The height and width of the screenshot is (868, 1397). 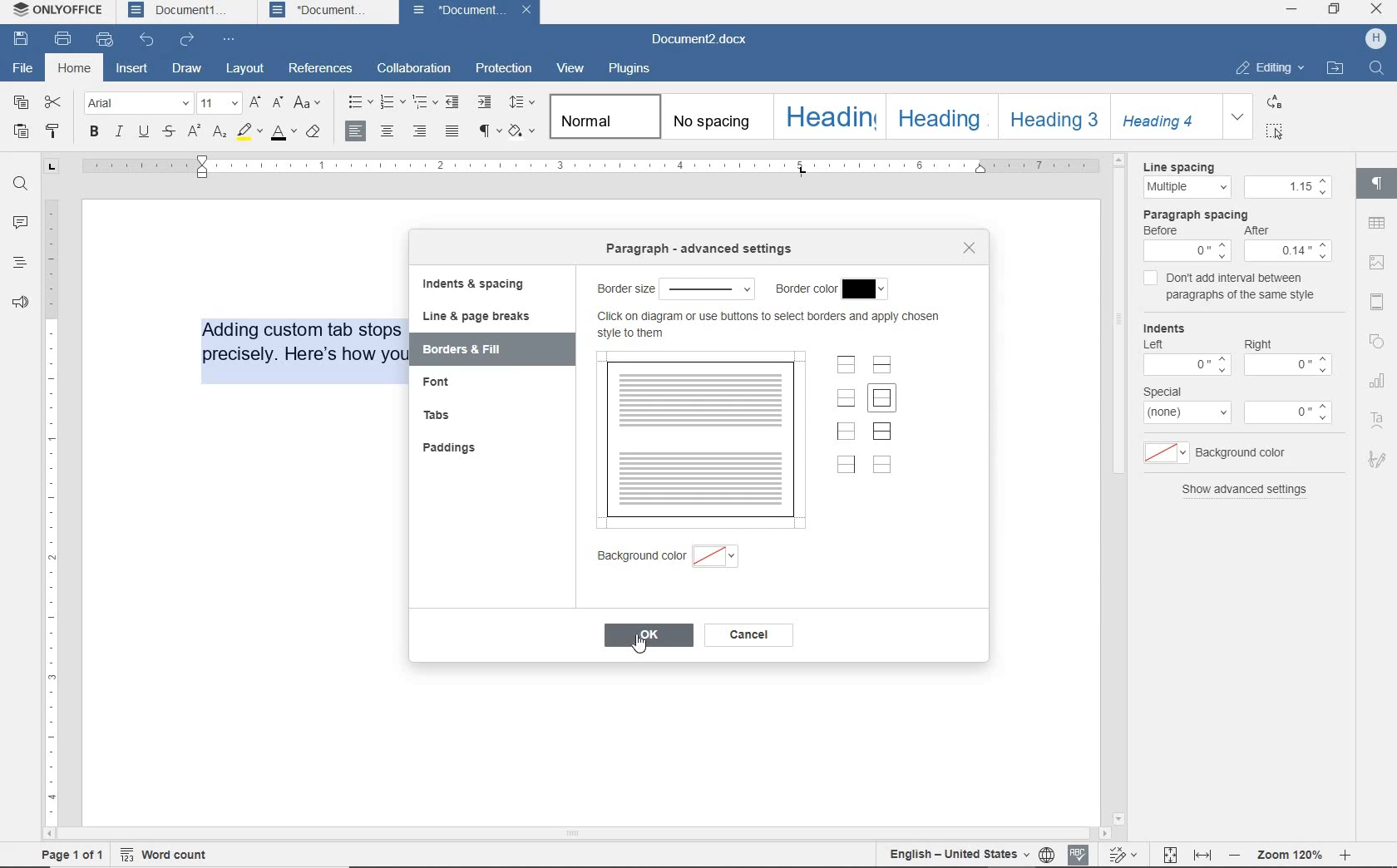 I want to click on close, so click(x=528, y=12).